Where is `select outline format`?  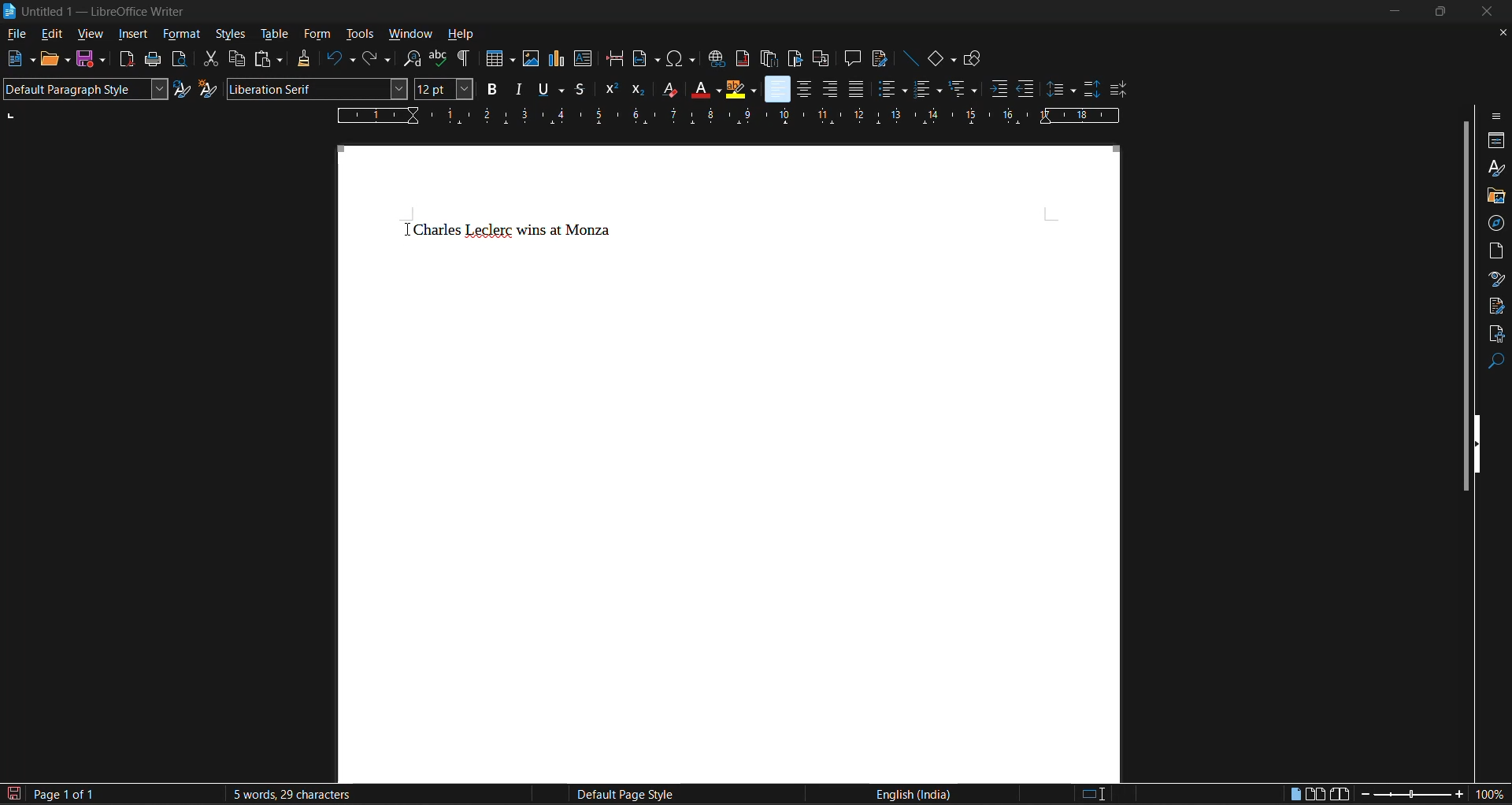
select outline format is located at coordinates (965, 88).